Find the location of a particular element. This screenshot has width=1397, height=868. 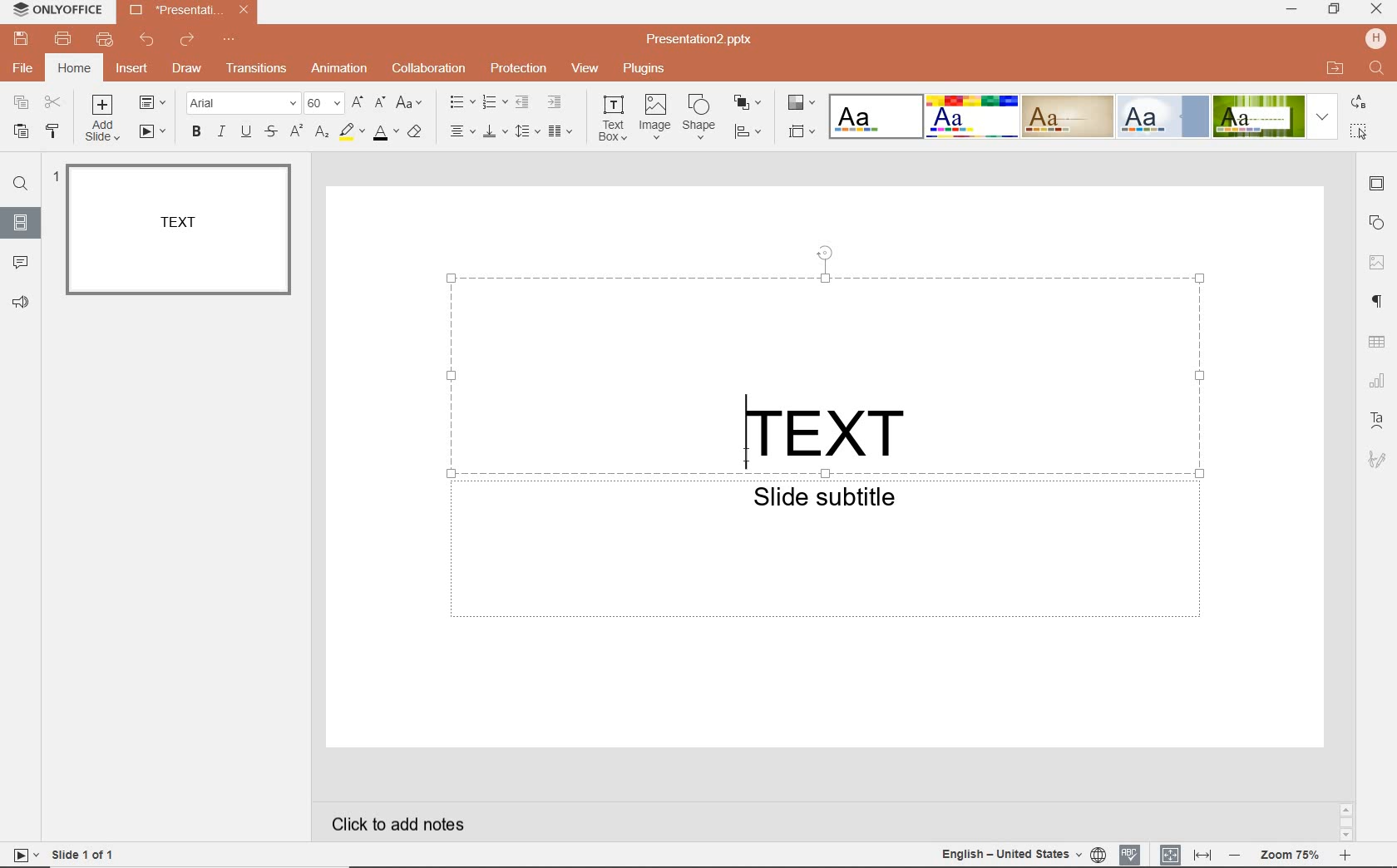

DECREMENT FONT SIZE is located at coordinates (381, 104).